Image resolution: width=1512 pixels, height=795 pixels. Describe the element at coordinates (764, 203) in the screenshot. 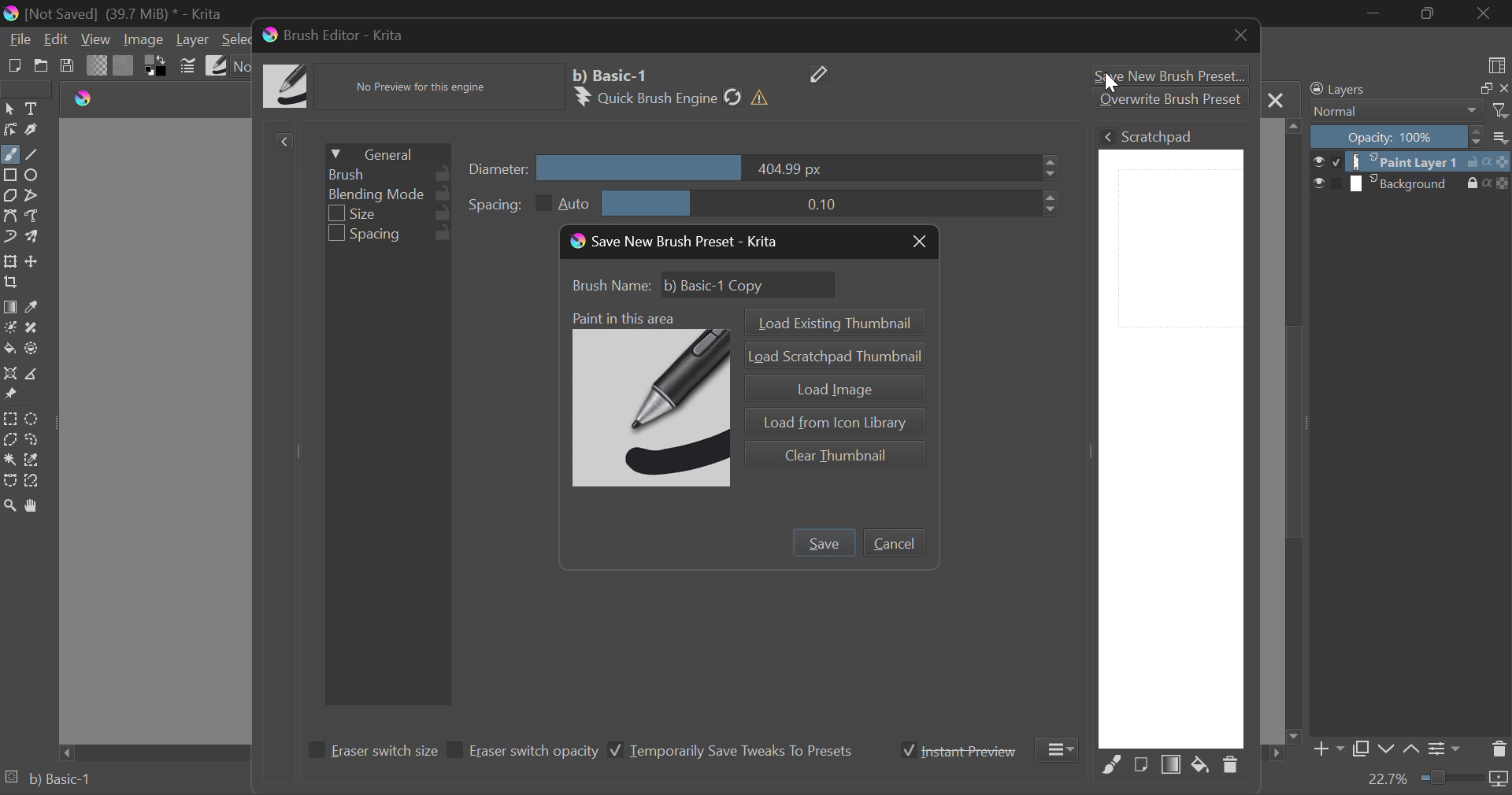

I see `Spacing` at that location.